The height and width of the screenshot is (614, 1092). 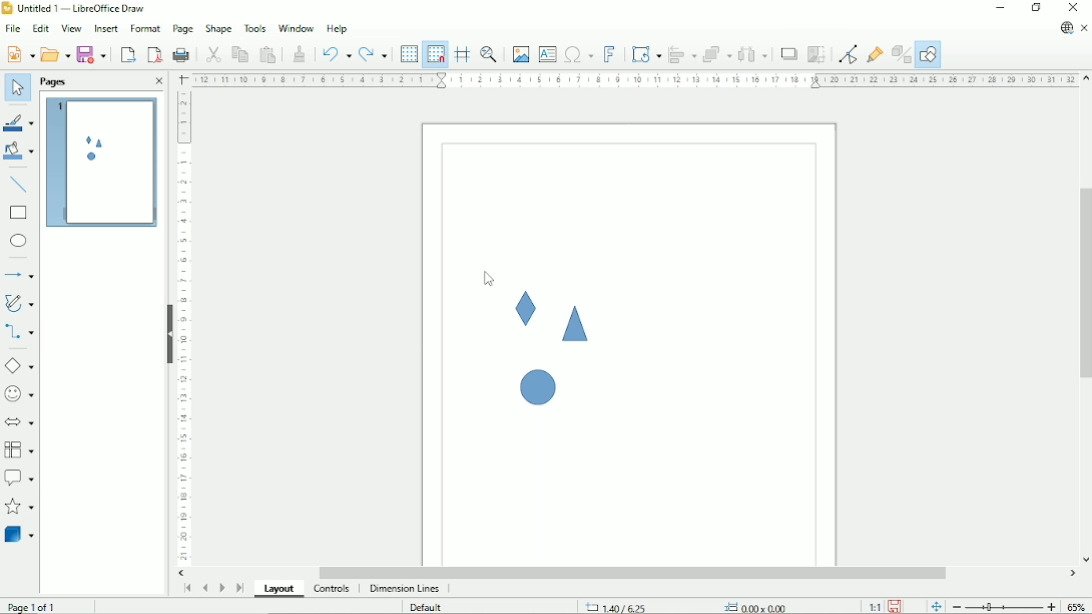 I want to click on Open, so click(x=54, y=53).